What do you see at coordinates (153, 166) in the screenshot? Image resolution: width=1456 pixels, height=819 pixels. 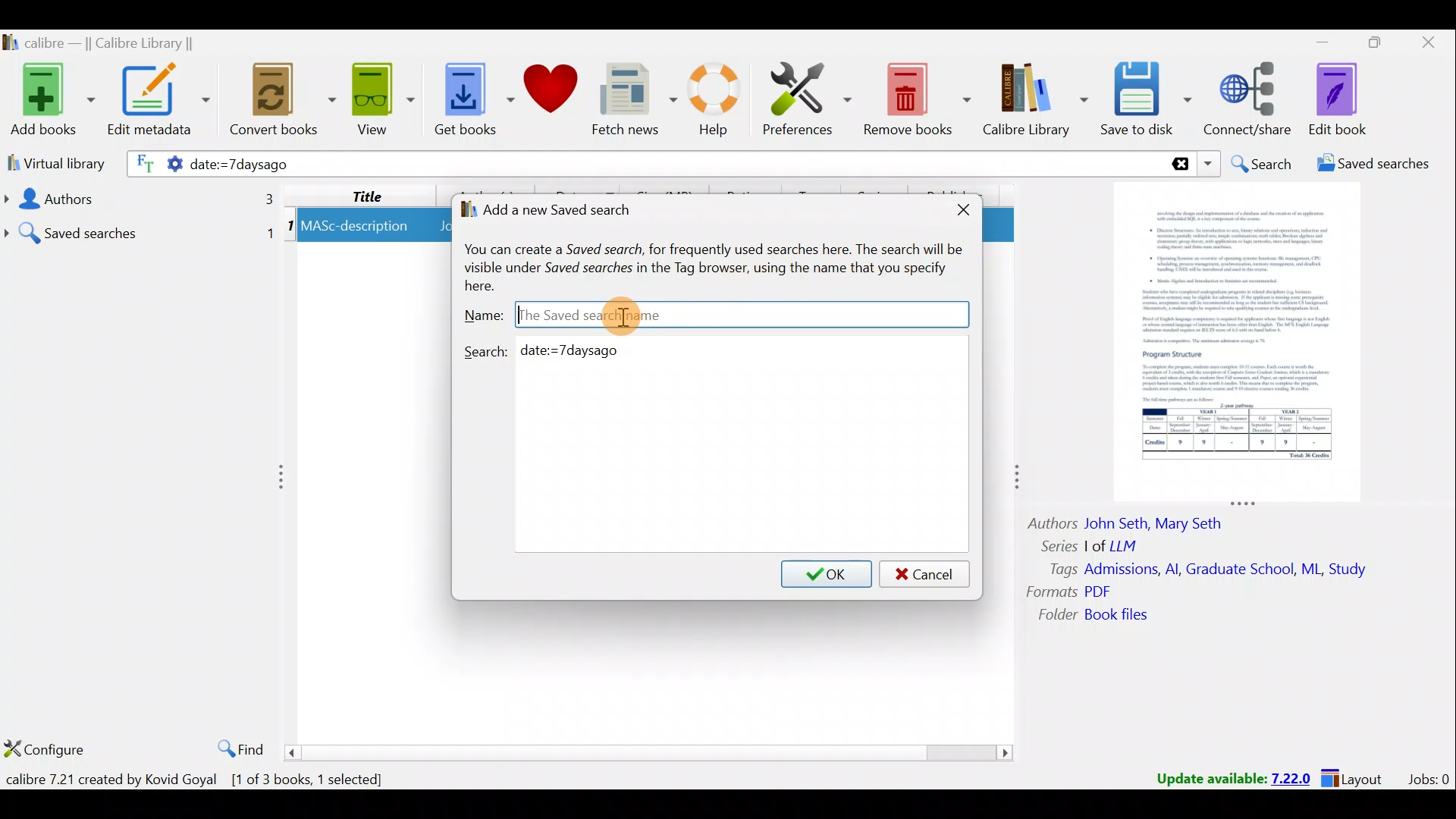 I see `Search settings` at bounding box center [153, 166].